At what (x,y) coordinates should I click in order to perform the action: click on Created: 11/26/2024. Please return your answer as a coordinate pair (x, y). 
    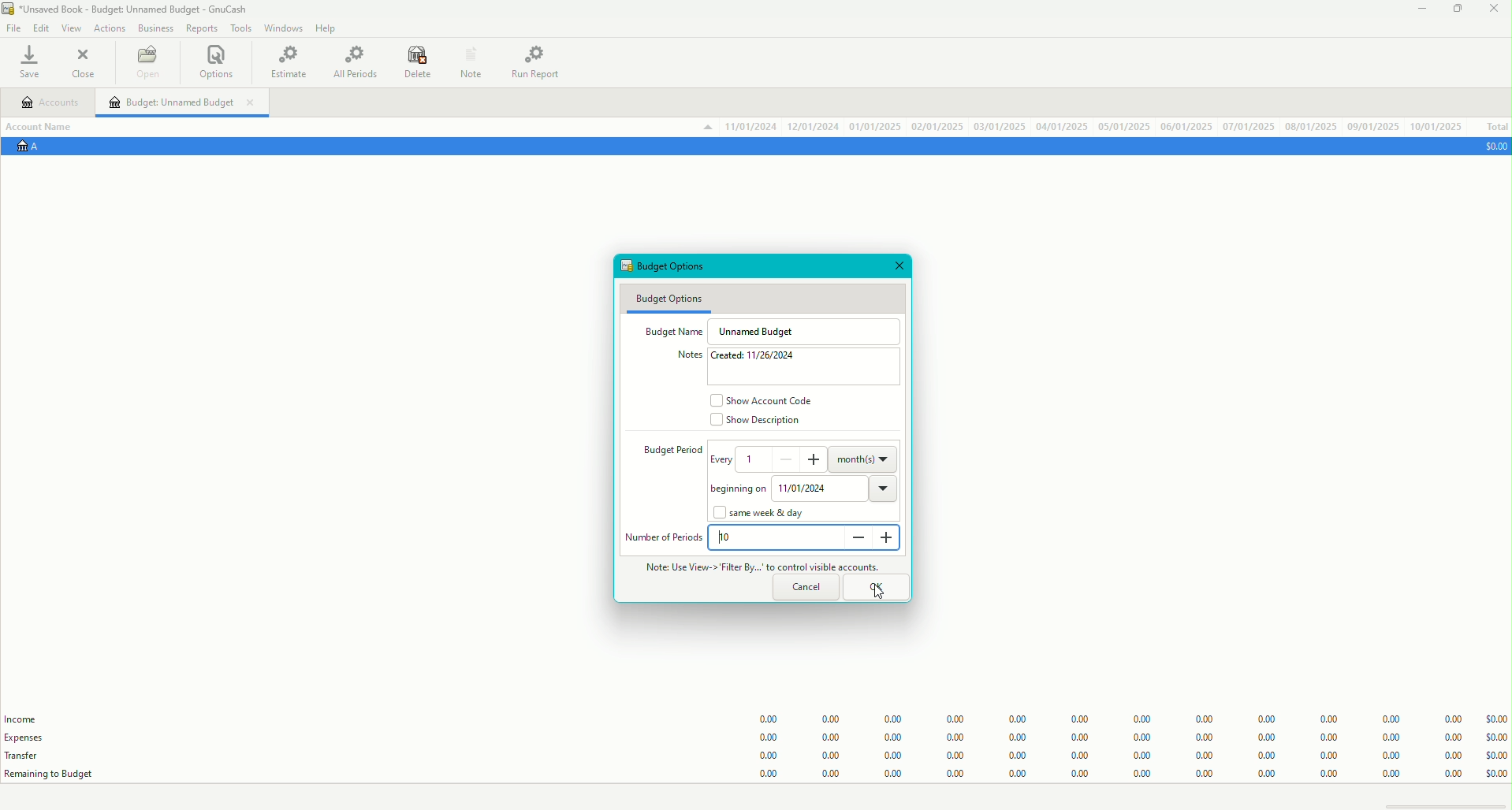
    Looking at the image, I should click on (761, 357).